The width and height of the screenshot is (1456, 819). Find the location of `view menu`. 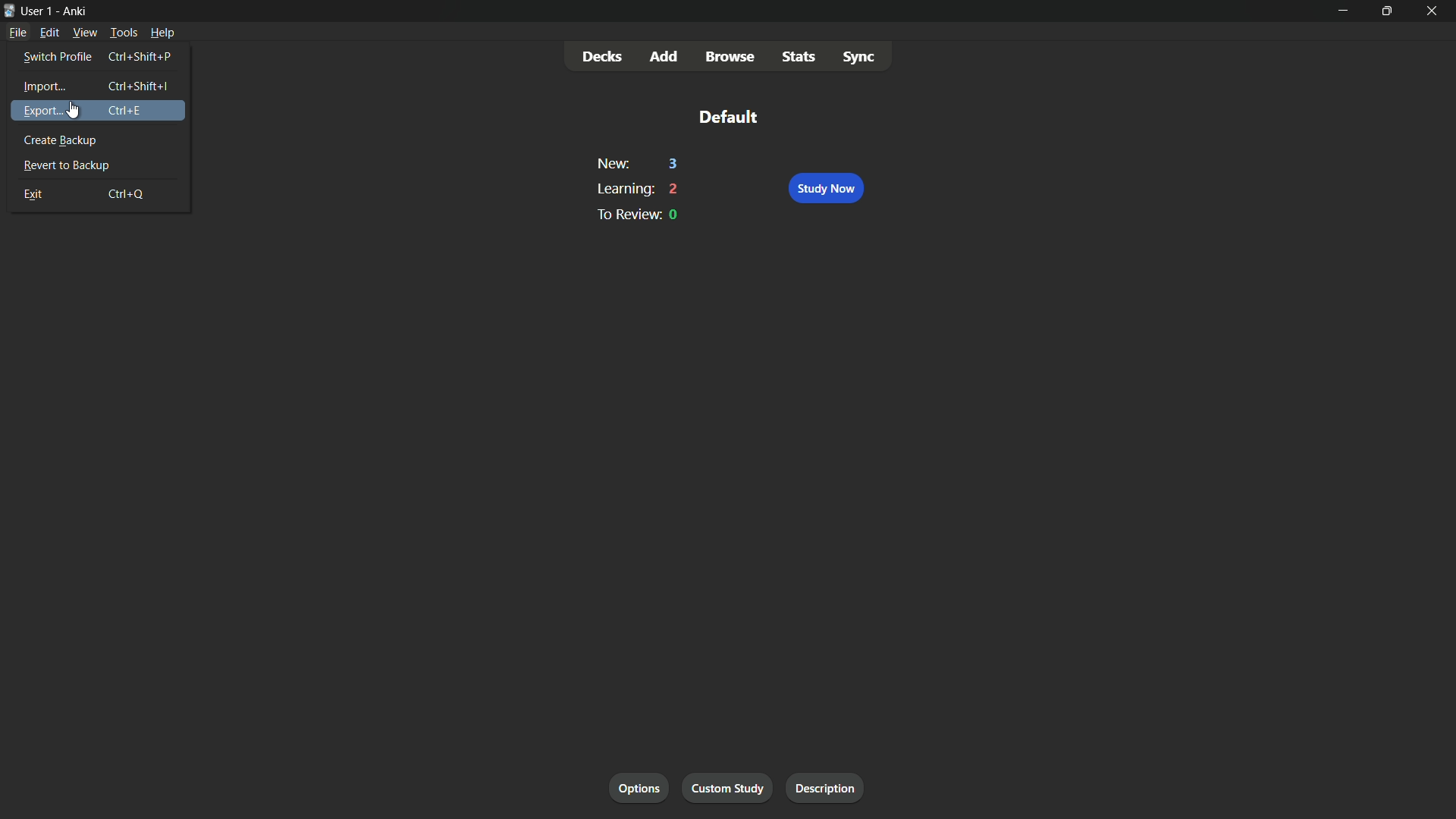

view menu is located at coordinates (85, 33).